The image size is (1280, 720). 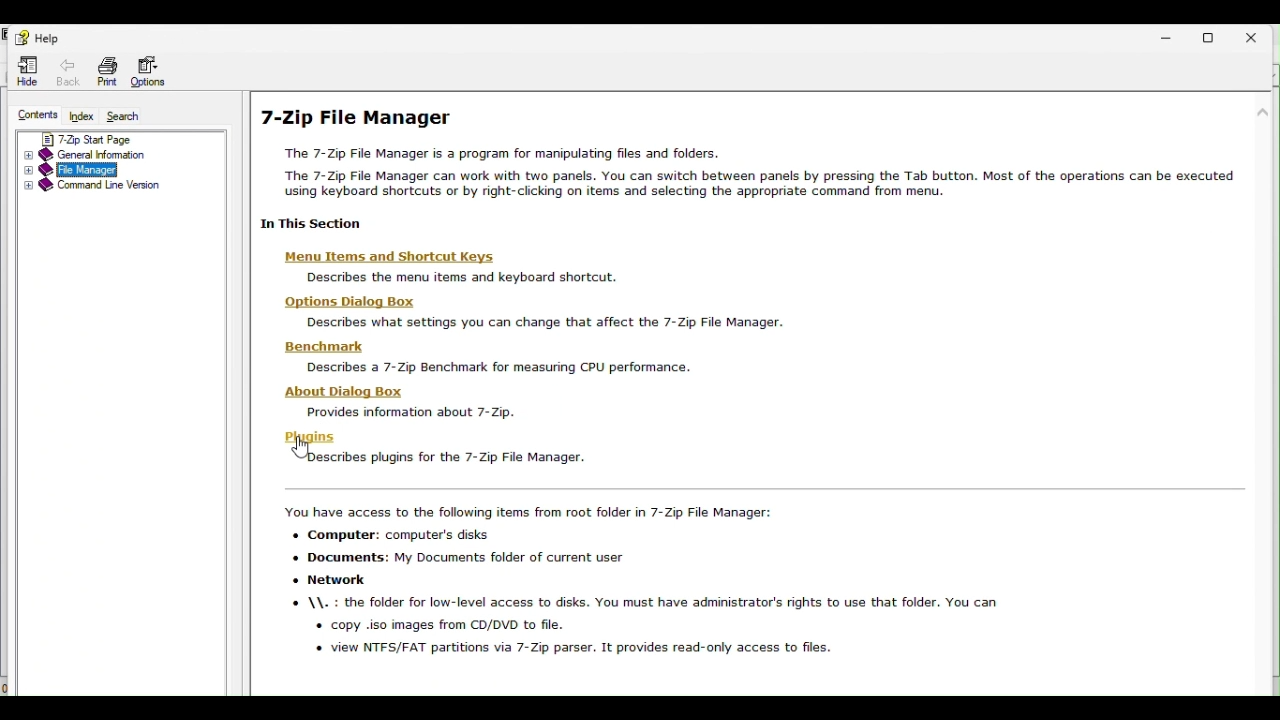 I want to click on ‘Menu Items and Shortcut Keys, so click(x=392, y=257).